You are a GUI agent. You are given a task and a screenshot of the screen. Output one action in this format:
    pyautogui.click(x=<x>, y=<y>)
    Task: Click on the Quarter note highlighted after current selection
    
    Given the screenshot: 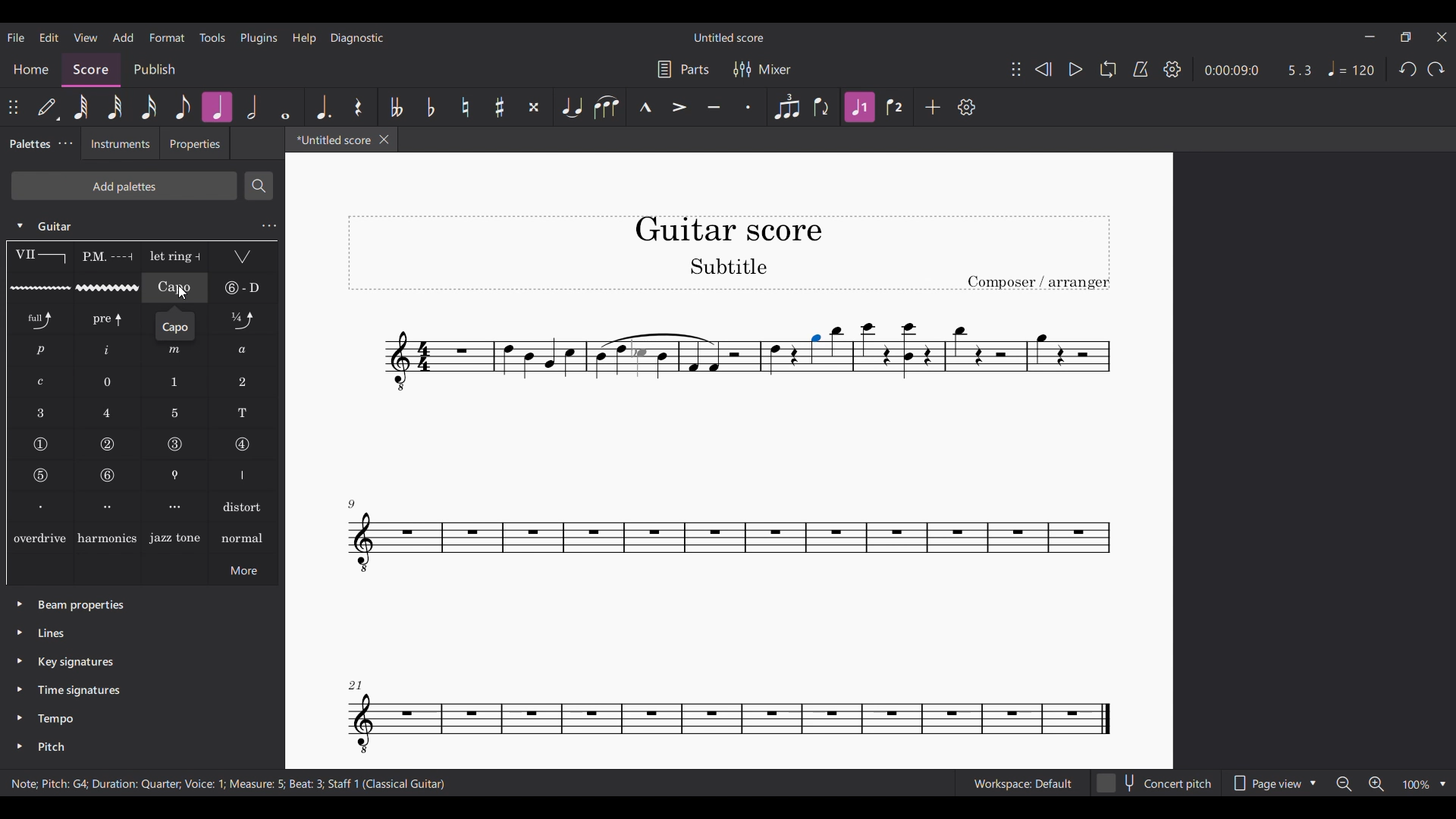 What is the action you would take?
    pyautogui.click(x=216, y=107)
    